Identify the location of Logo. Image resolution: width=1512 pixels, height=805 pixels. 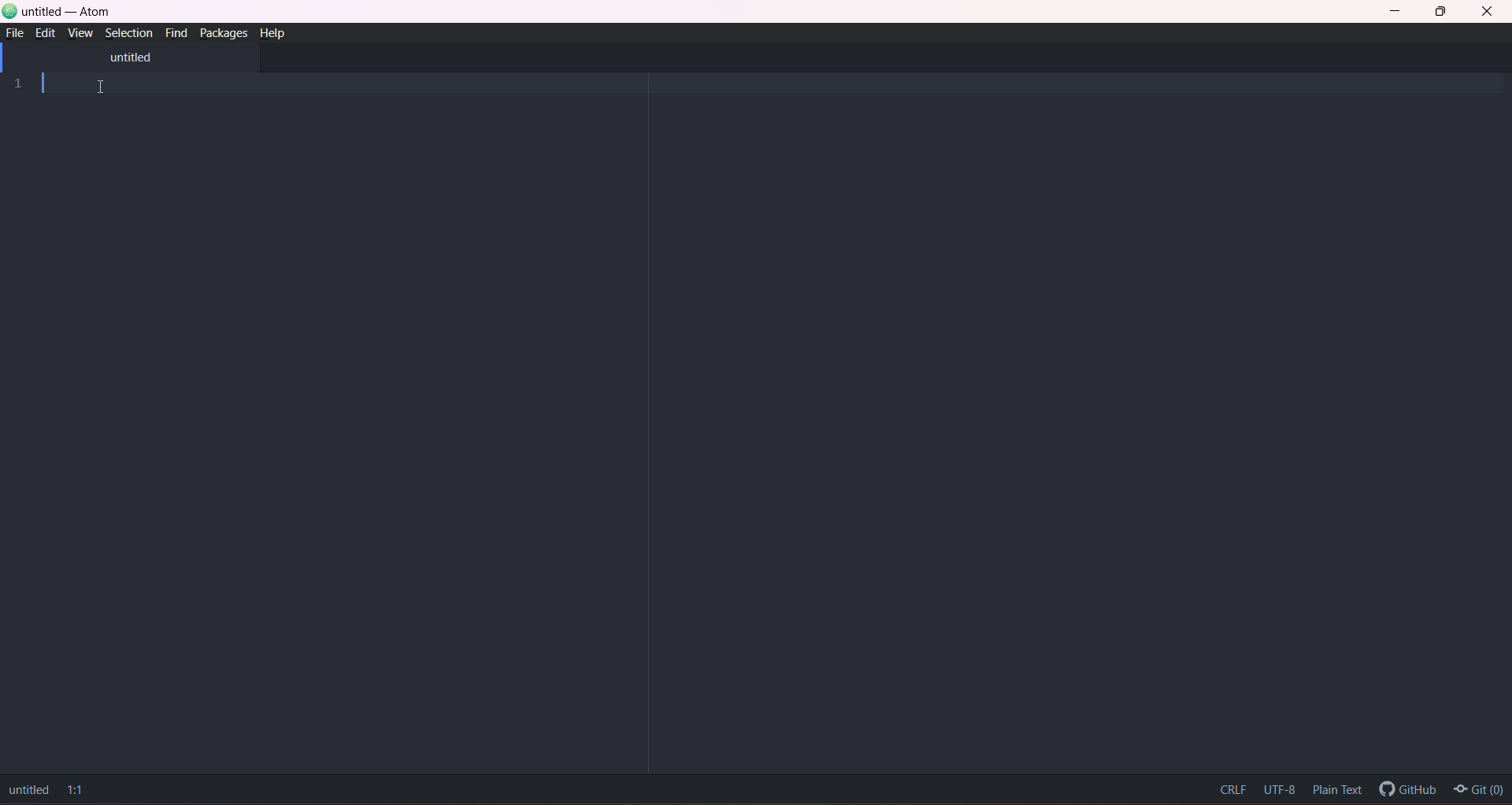
(10, 11).